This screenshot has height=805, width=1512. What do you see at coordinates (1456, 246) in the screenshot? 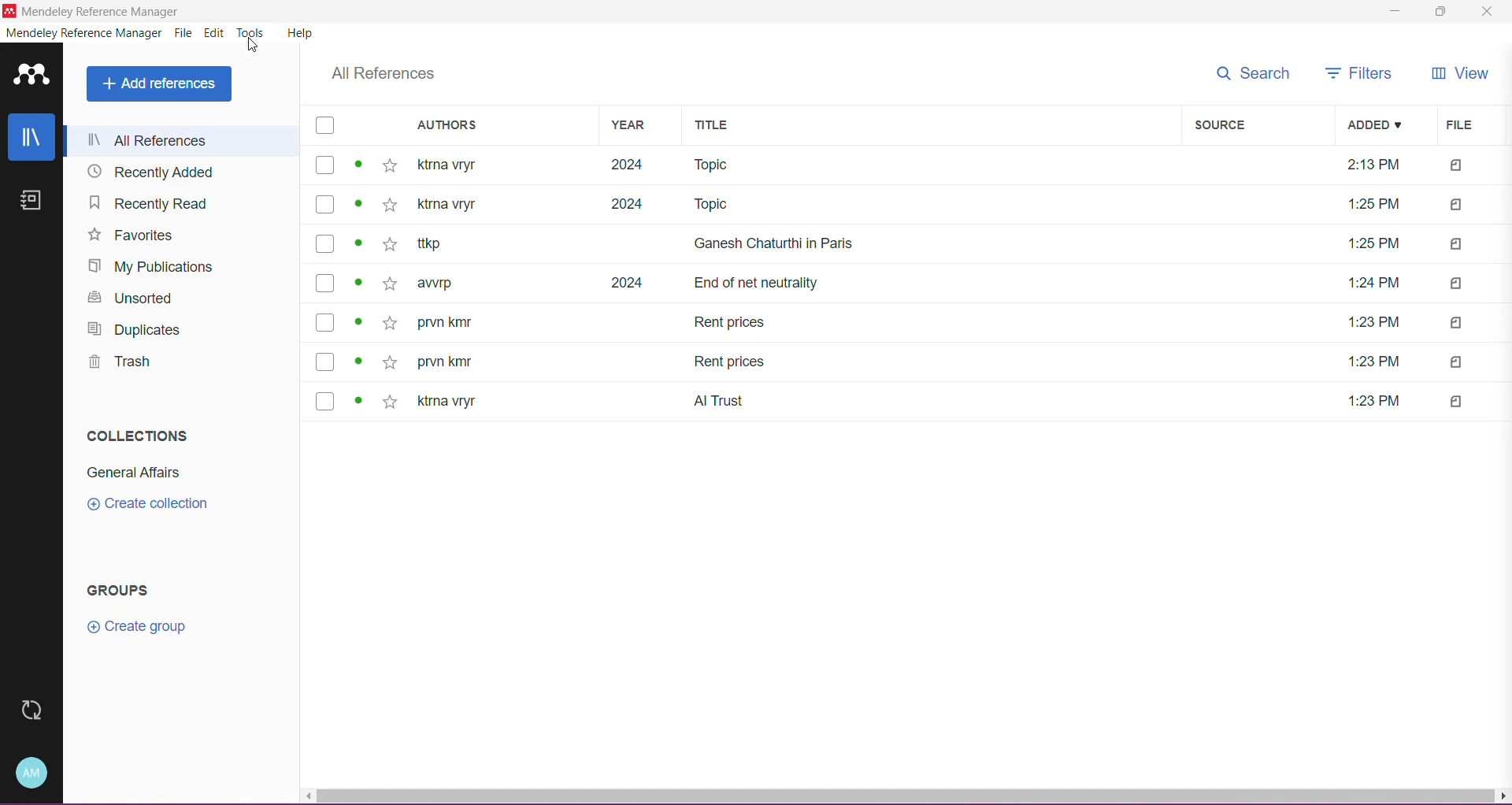
I see `file` at bounding box center [1456, 246].